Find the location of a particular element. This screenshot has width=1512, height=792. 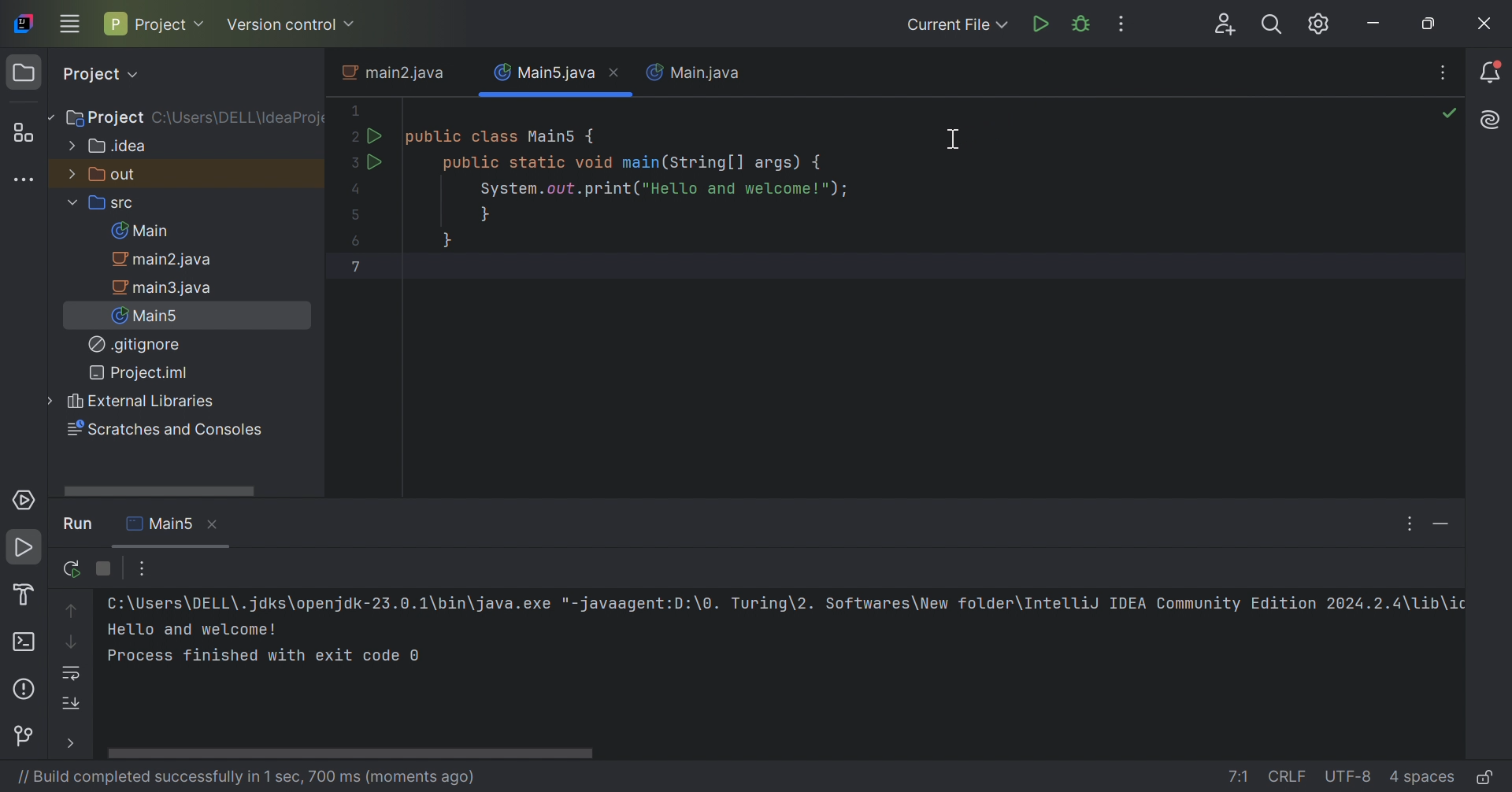

Soft-Wrap is located at coordinates (71, 672).